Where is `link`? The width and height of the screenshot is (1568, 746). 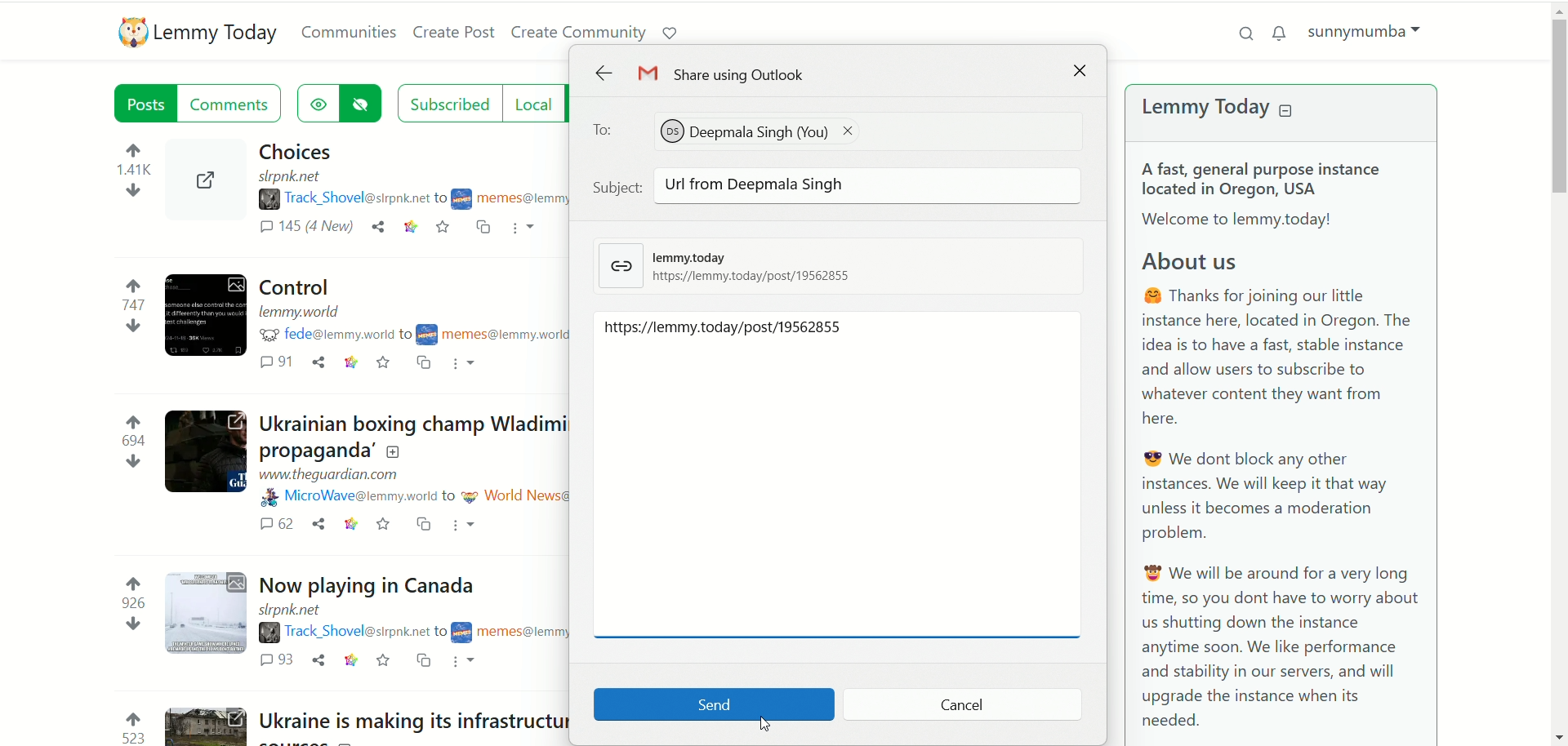
link is located at coordinates (414, 229).